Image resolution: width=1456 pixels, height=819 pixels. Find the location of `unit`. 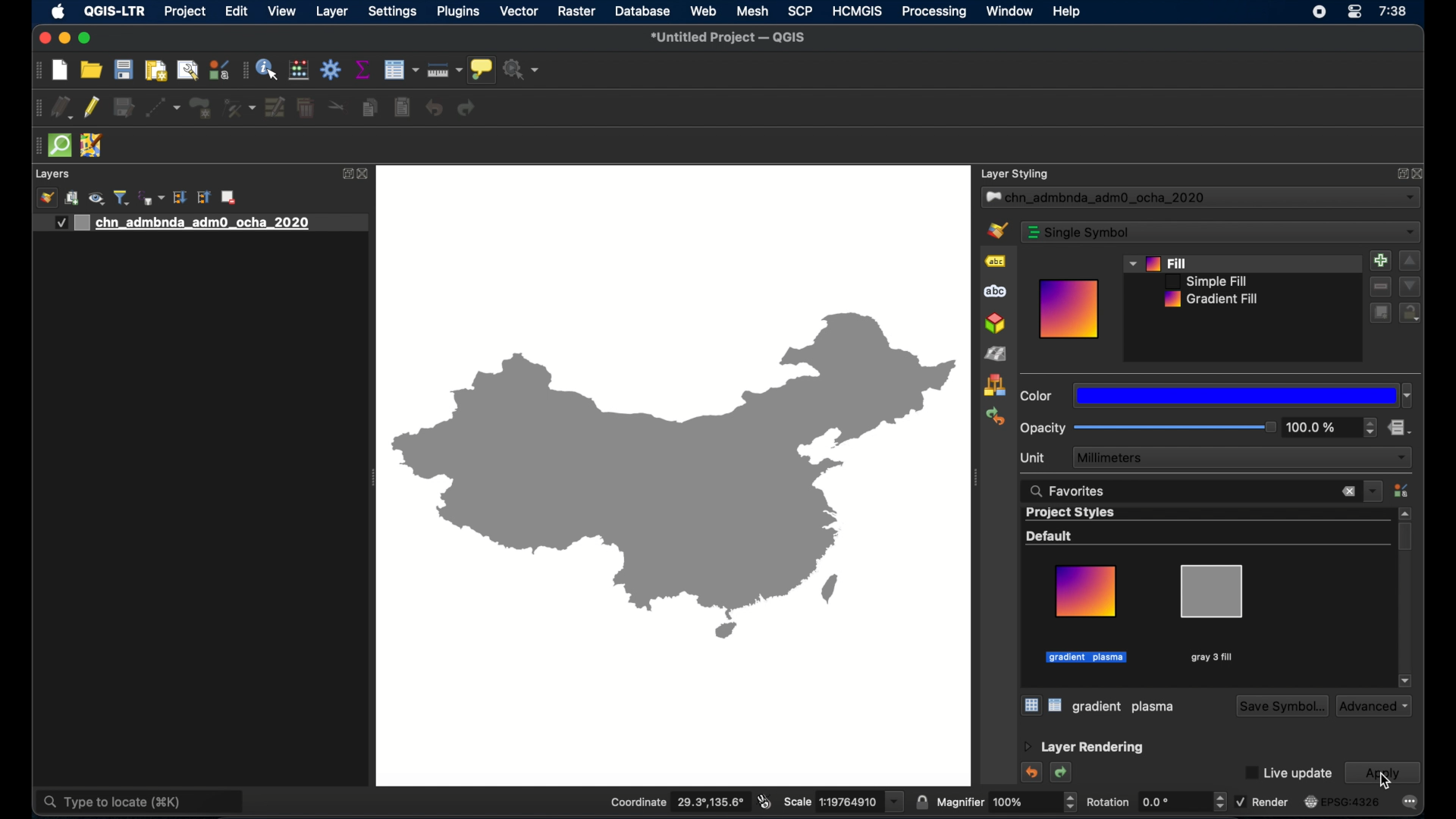

unit is located at coordinates (1032, 458).